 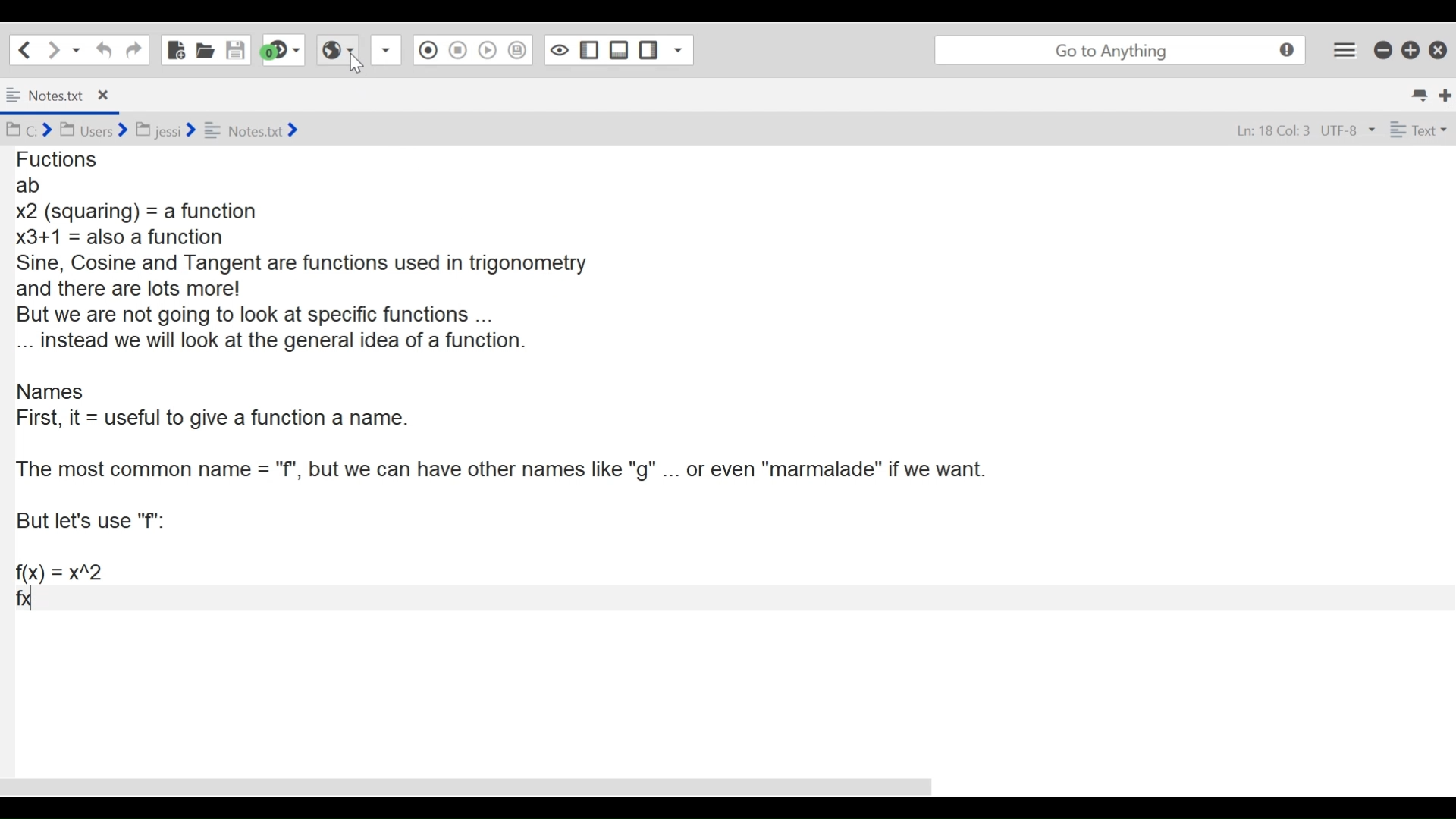 I want to click on jessi, so click(x=165, y=130).